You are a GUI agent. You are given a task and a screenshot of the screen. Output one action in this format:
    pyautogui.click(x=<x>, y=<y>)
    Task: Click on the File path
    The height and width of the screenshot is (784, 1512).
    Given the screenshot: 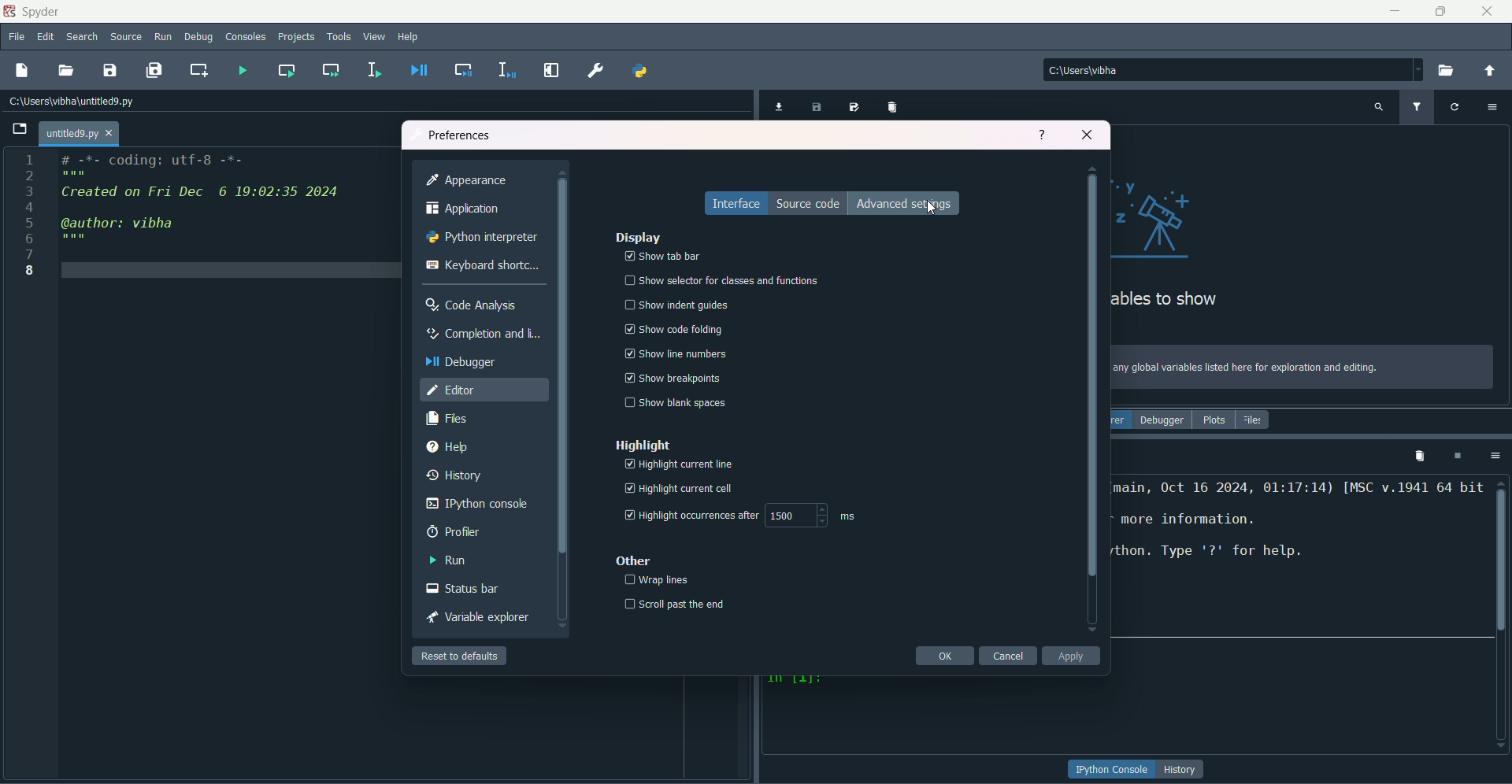 What is the action you would take?
    pyautogui.click(x=75, y=101)
    